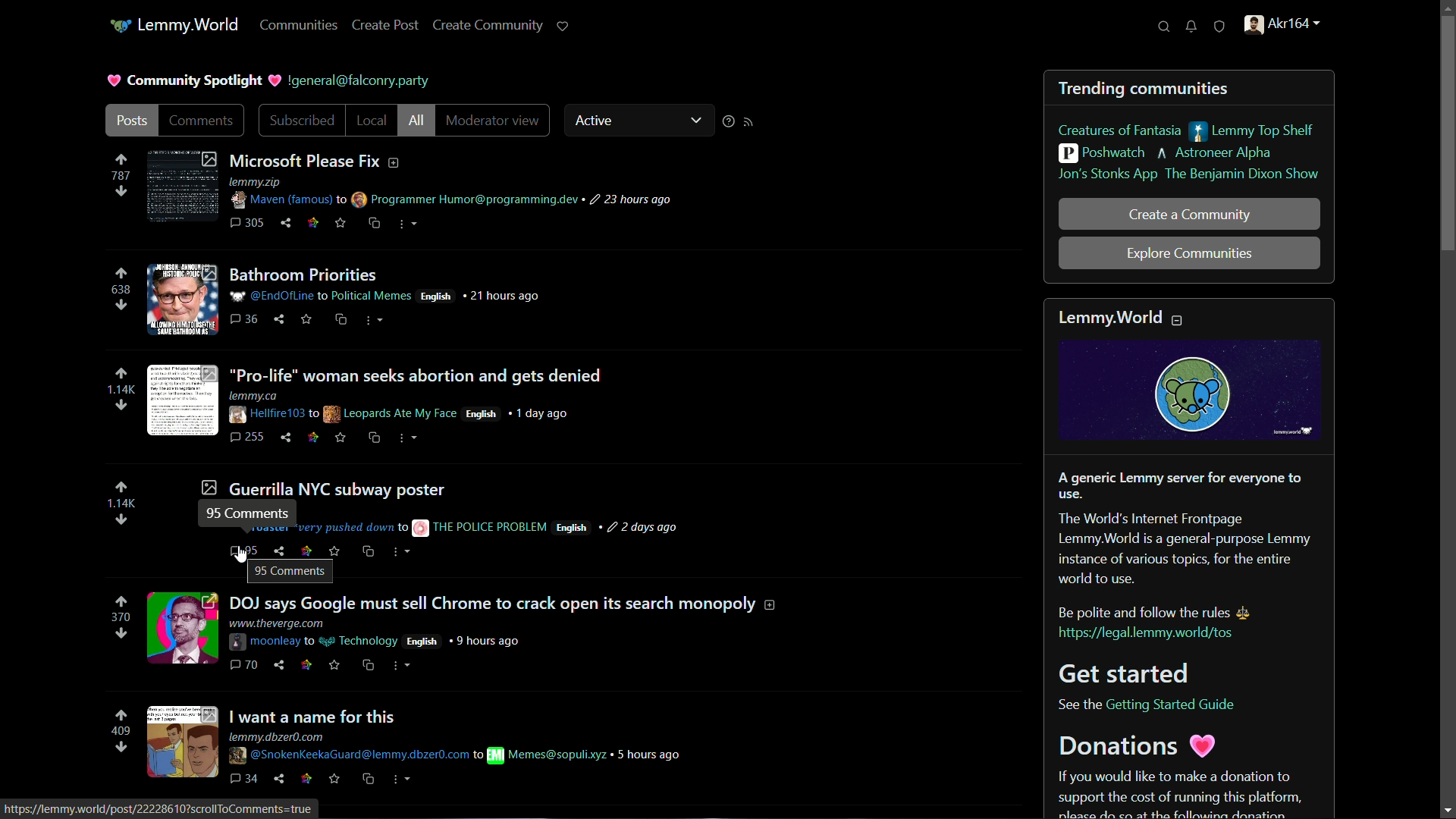  What do you see at coordinates (183, 184) in the screenshot?
I see `post image` at bounding box center [183, 184].